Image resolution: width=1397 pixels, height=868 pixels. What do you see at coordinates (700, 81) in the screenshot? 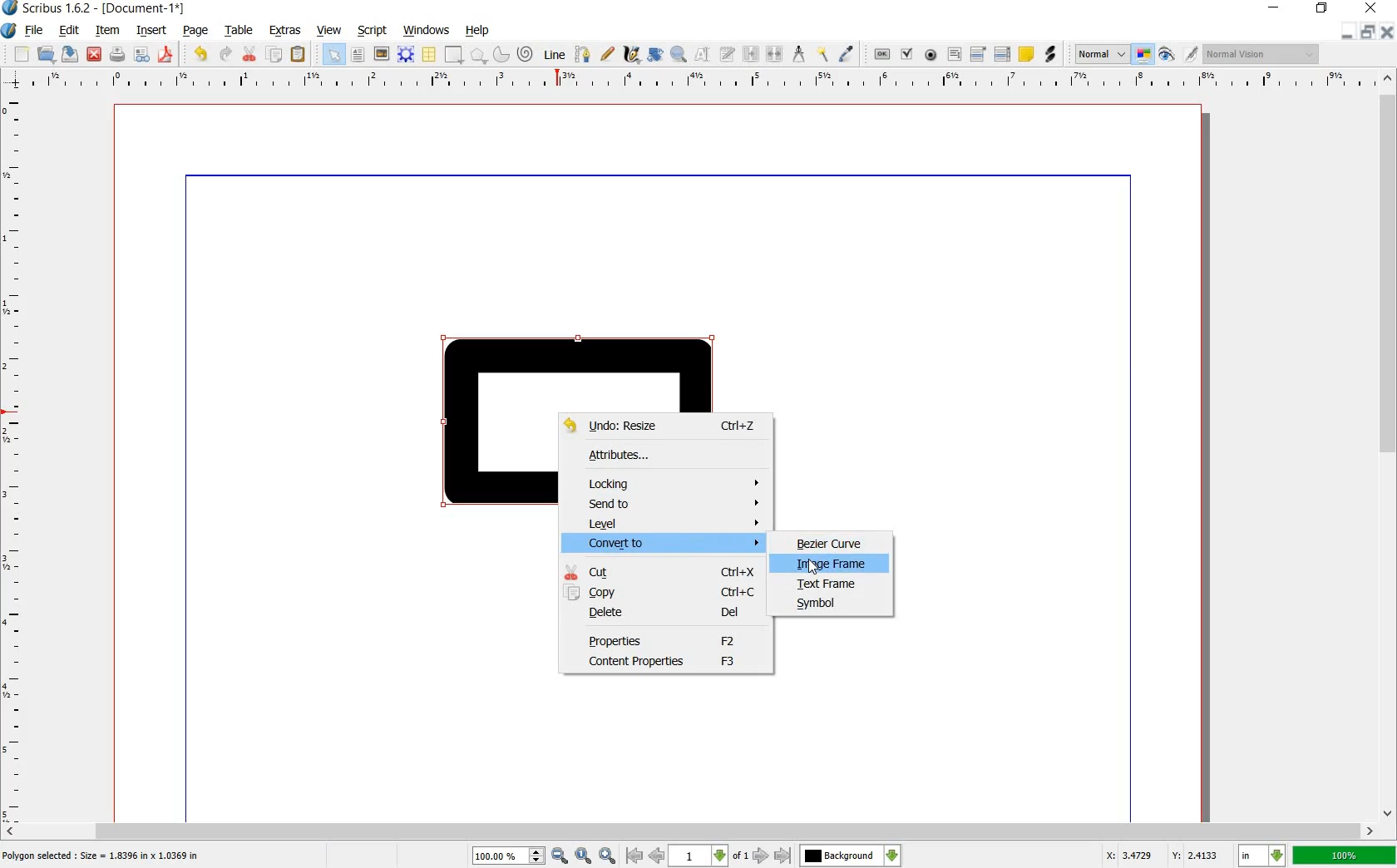
I see `ruler` at bounding box center [700, 81].